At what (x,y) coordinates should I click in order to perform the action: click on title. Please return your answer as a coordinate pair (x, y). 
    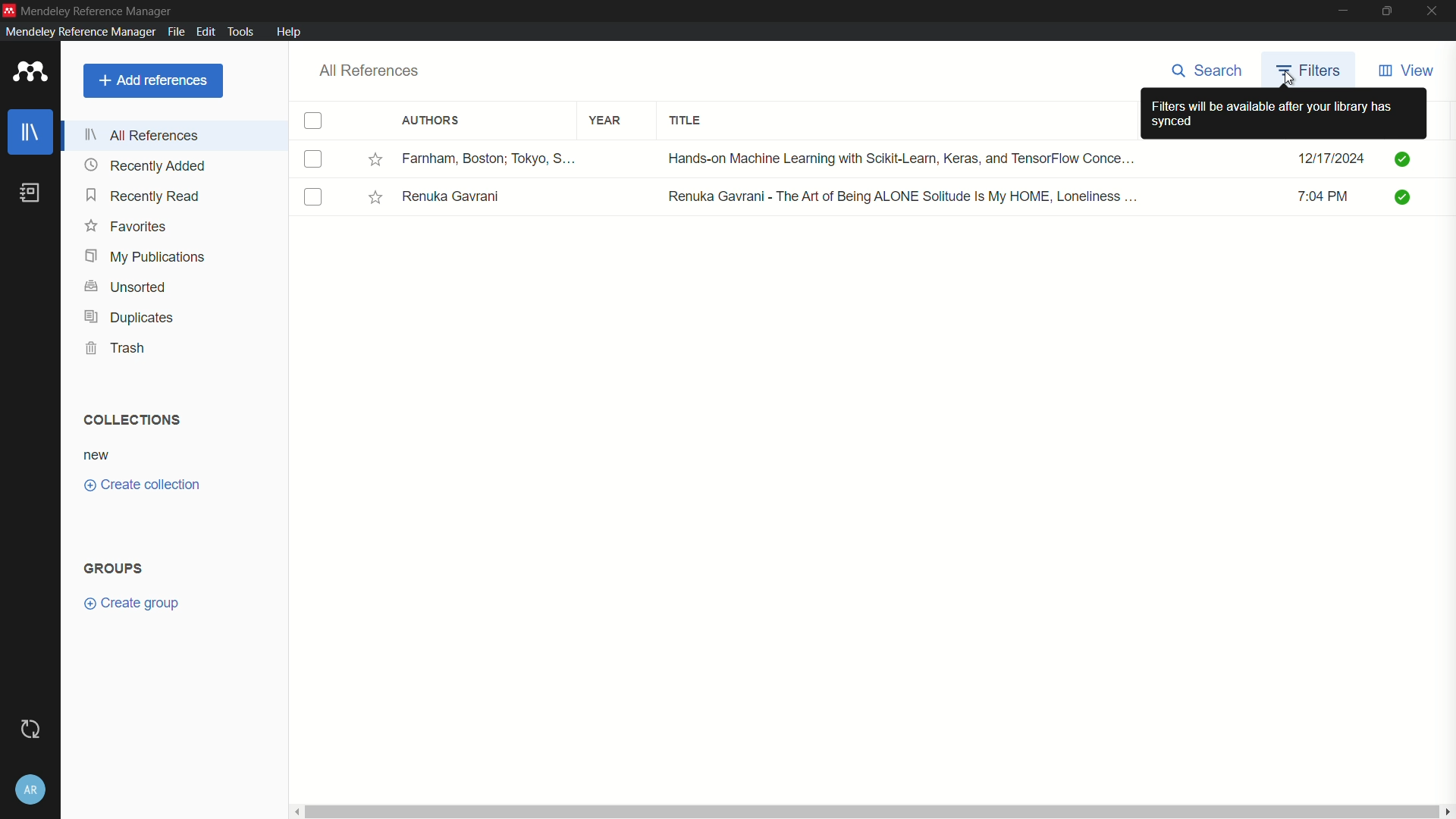
    Looking at the image, I should click on (686, 121).